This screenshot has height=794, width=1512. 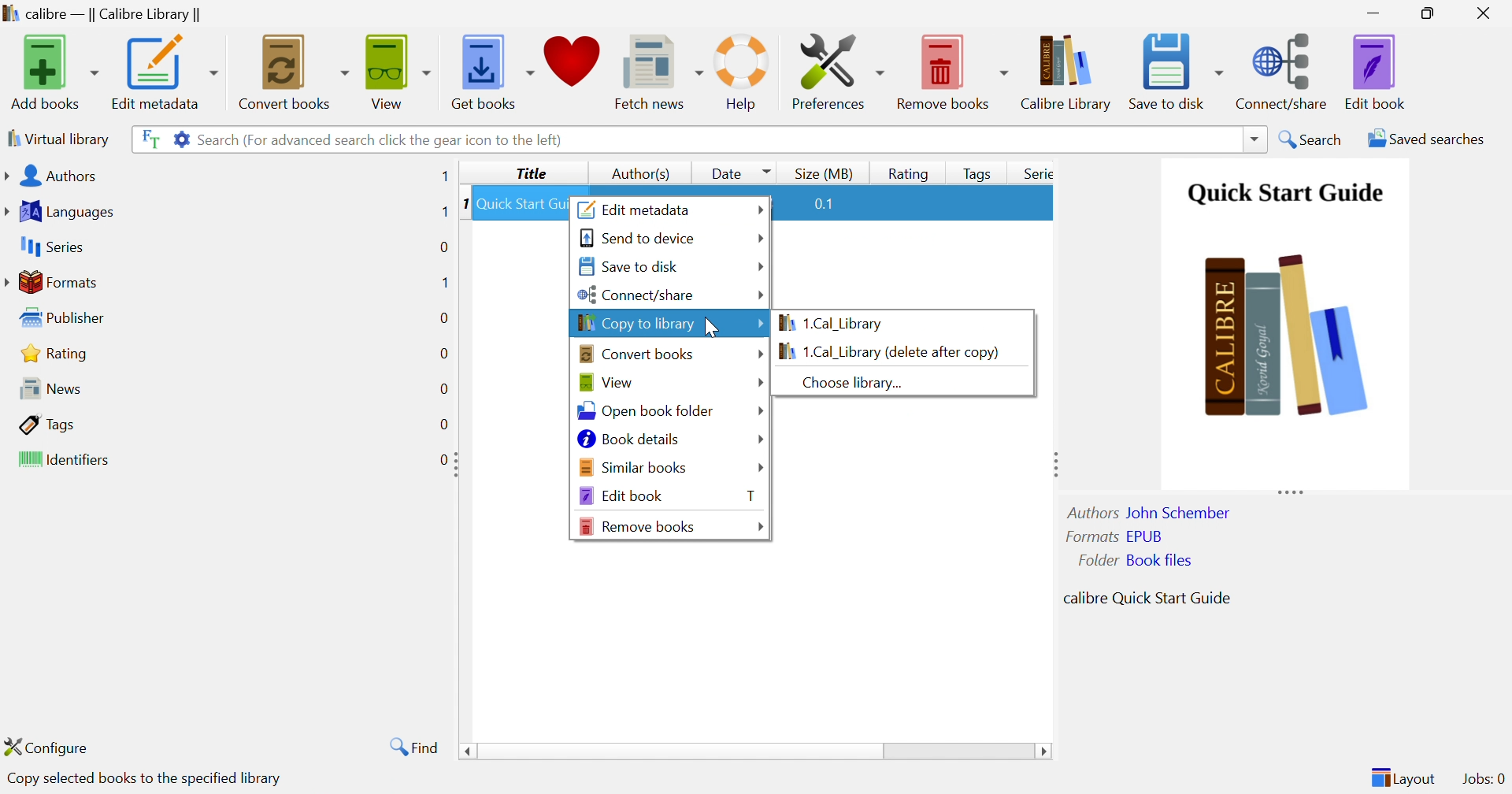 What do you see at coordinates (447, 421) in the screenshot?
I see `0` at bounding box center [447, 421].